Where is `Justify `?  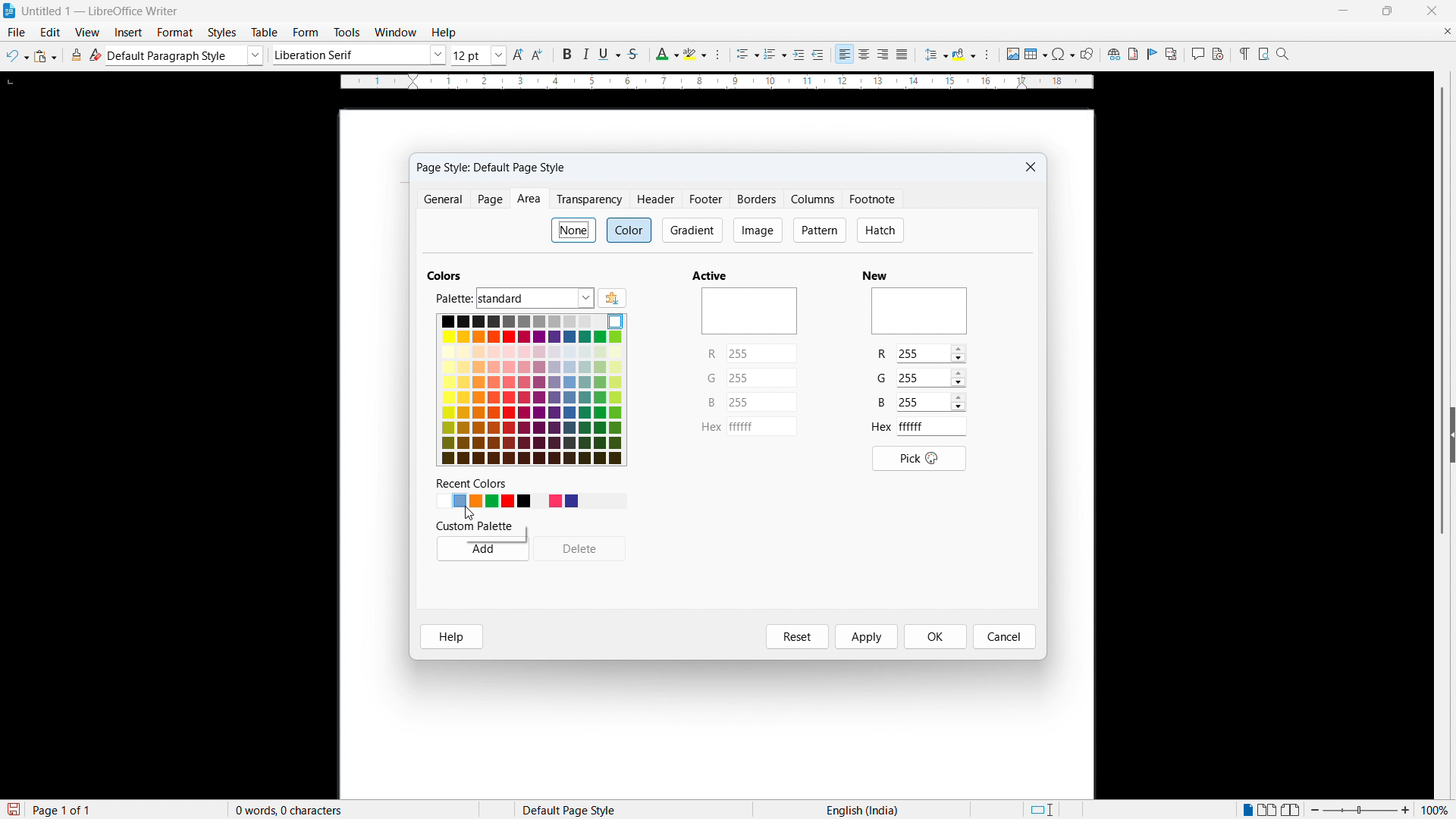 Justify  is located at coordinates (902, 54).